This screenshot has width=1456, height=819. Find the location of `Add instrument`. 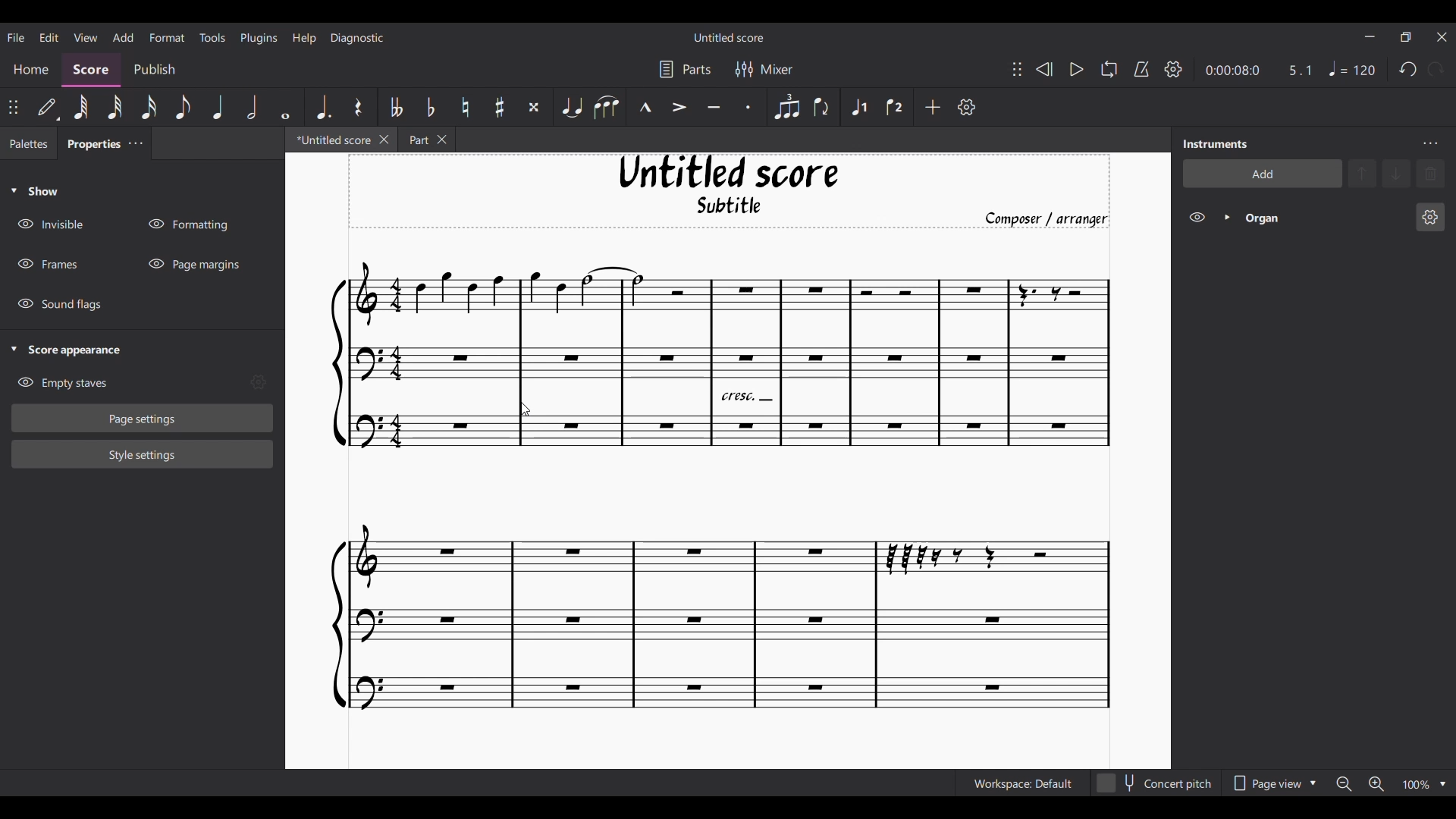

Add instrument is located at coordinates (1263, 173).